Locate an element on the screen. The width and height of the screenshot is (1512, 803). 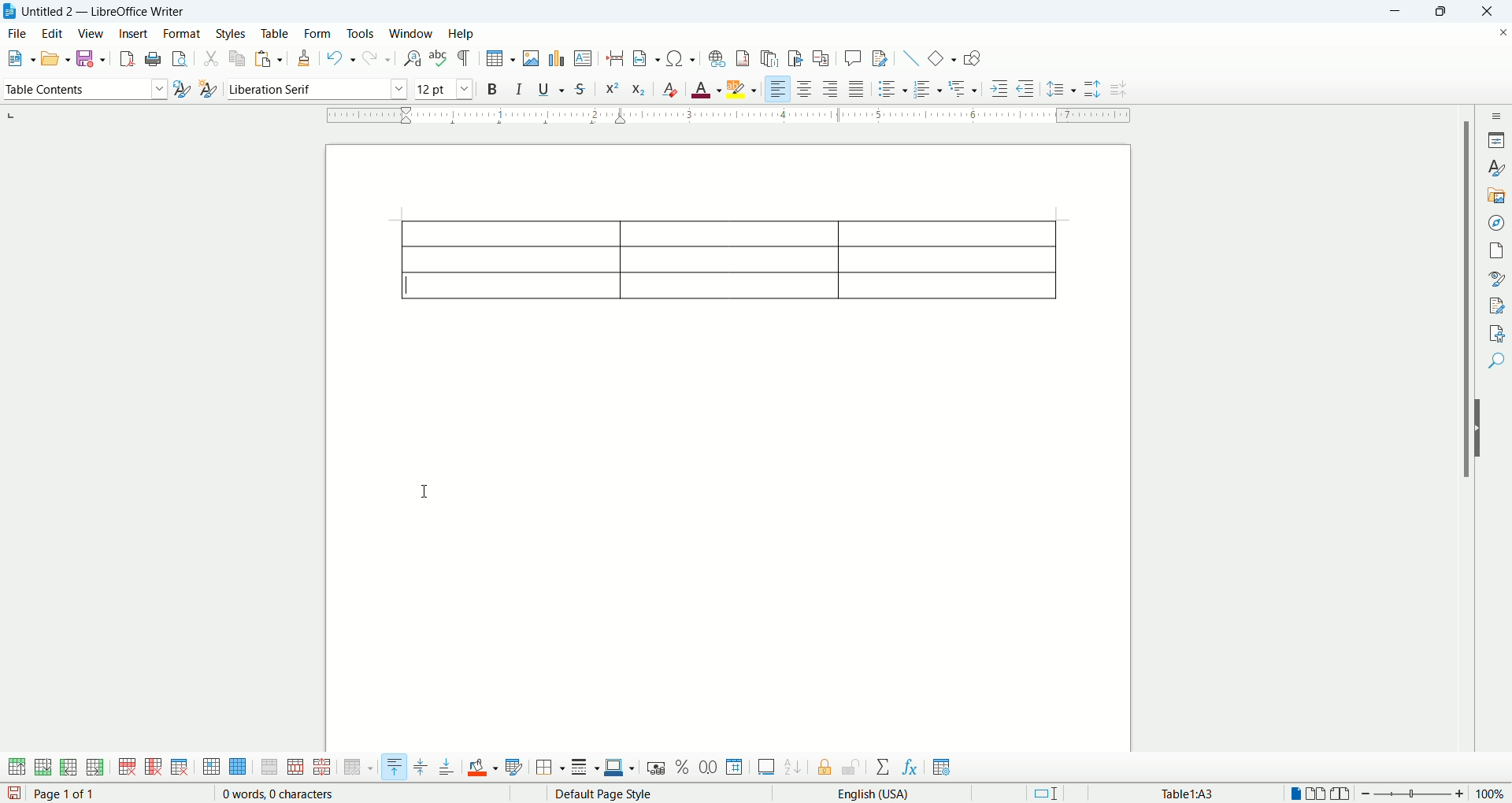
close is located at coordinates (1499, 33).